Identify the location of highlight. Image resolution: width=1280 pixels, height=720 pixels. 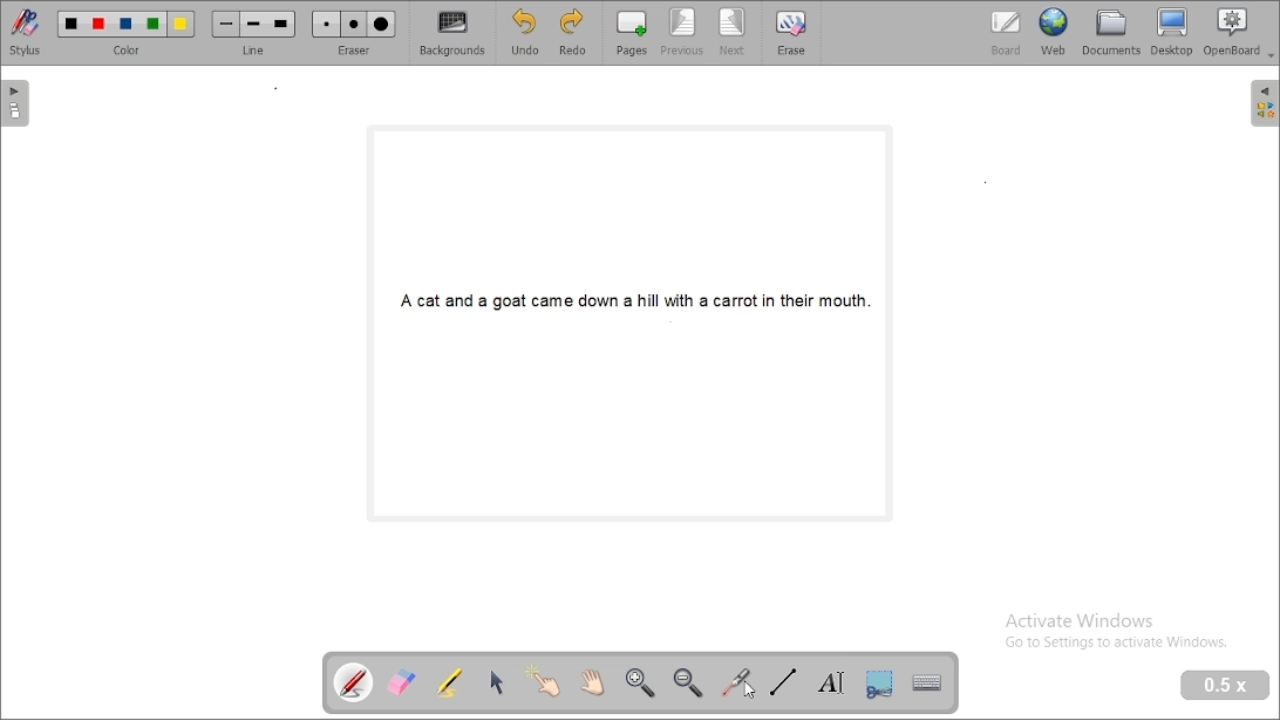
(450, 681).